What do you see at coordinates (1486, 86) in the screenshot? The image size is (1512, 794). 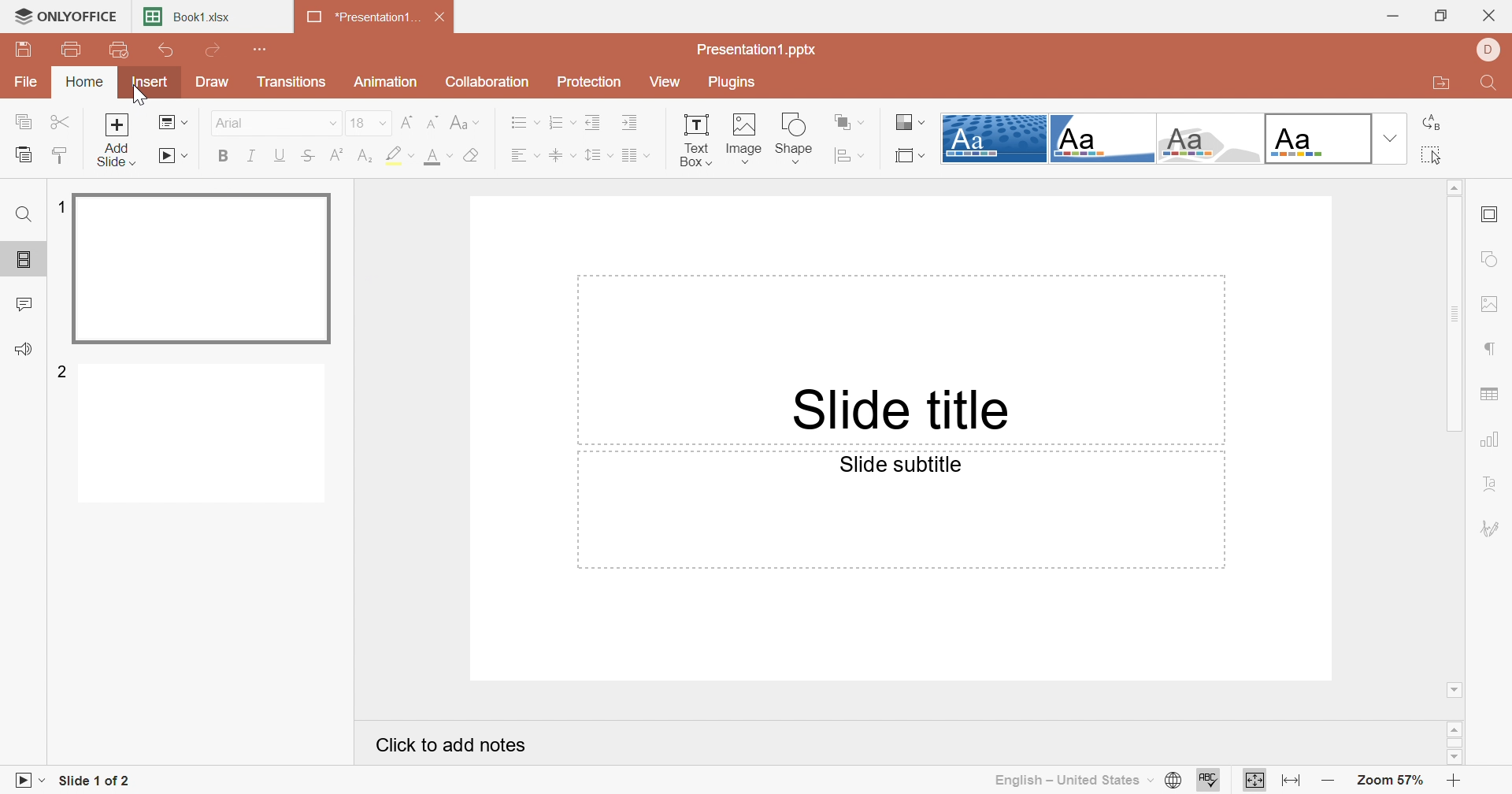 I see `Find` at bounding box center [1486, 86].